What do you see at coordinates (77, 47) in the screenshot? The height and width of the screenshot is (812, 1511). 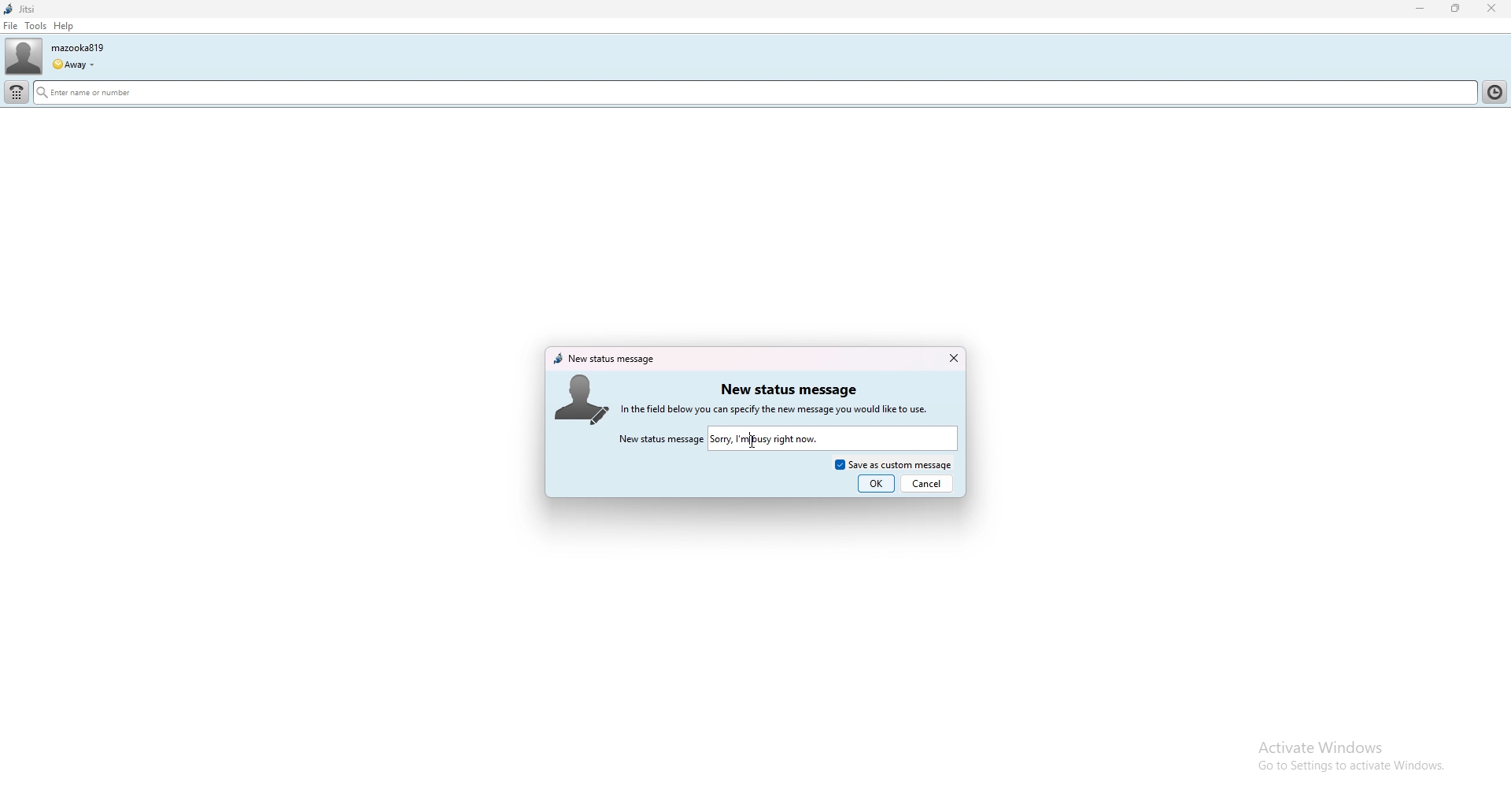 I see `username` at bounding box center [77, 47].